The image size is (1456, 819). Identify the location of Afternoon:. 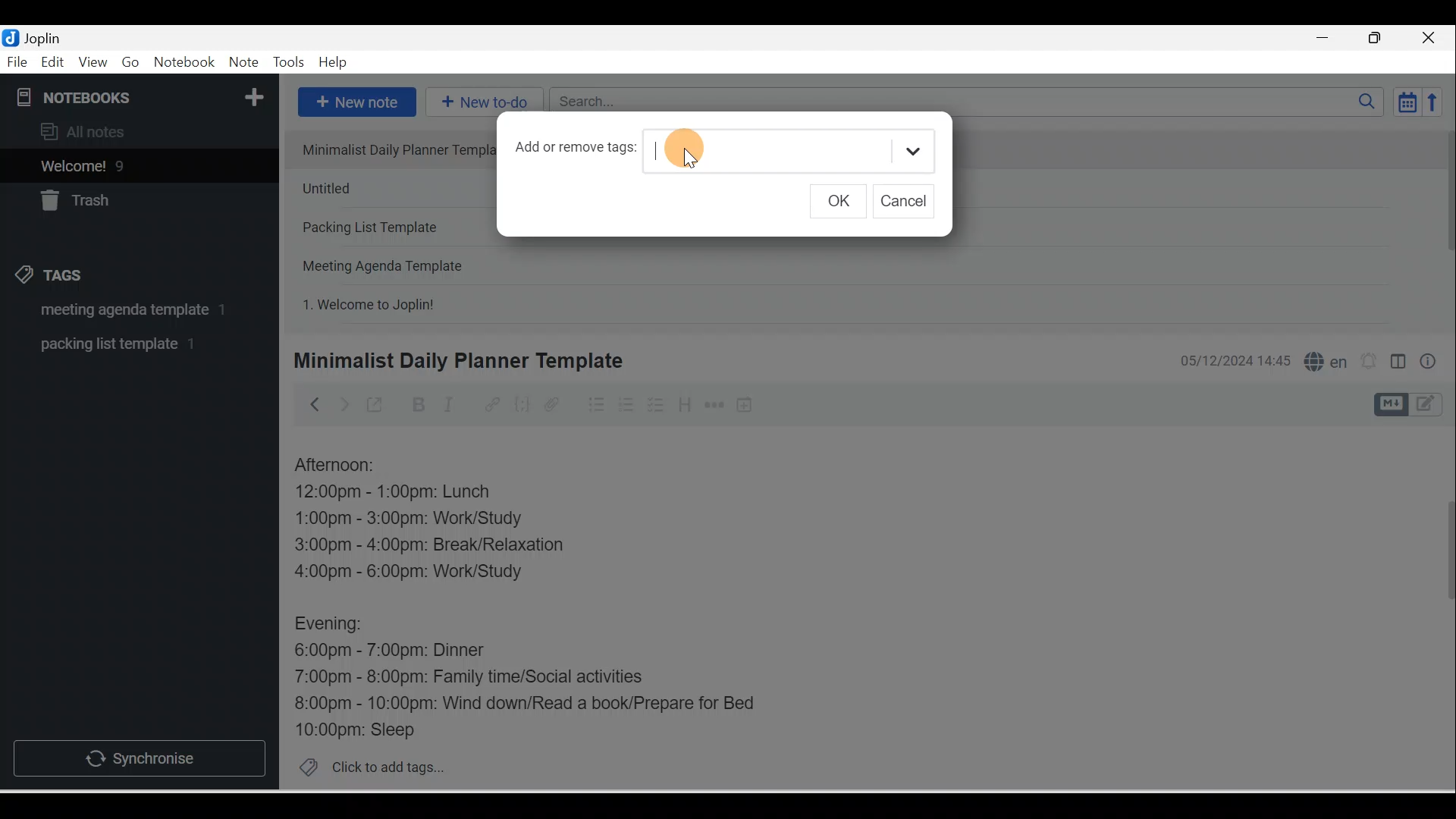
(345, 466).